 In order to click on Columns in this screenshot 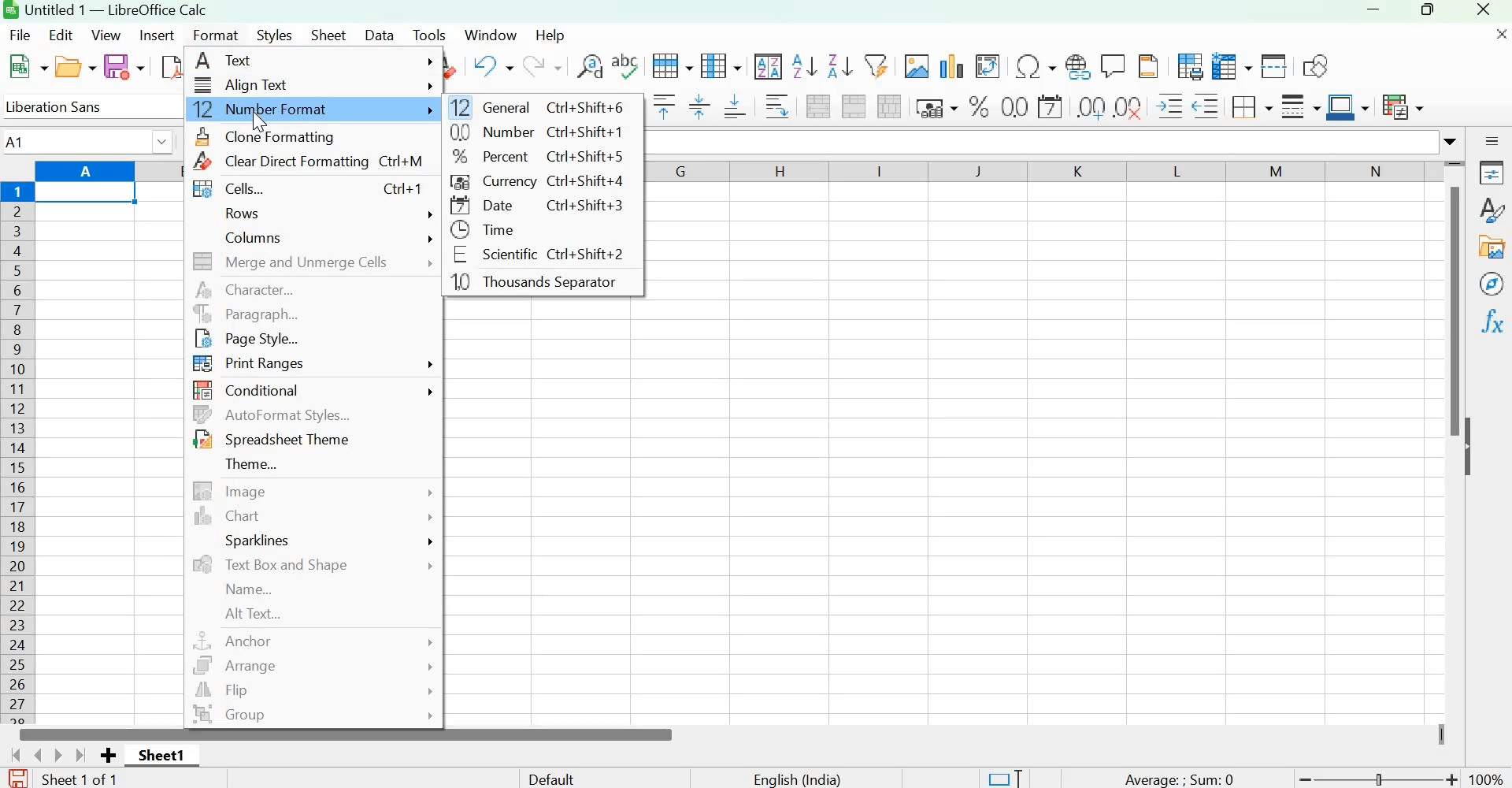, I will do `click(19, 452)`.